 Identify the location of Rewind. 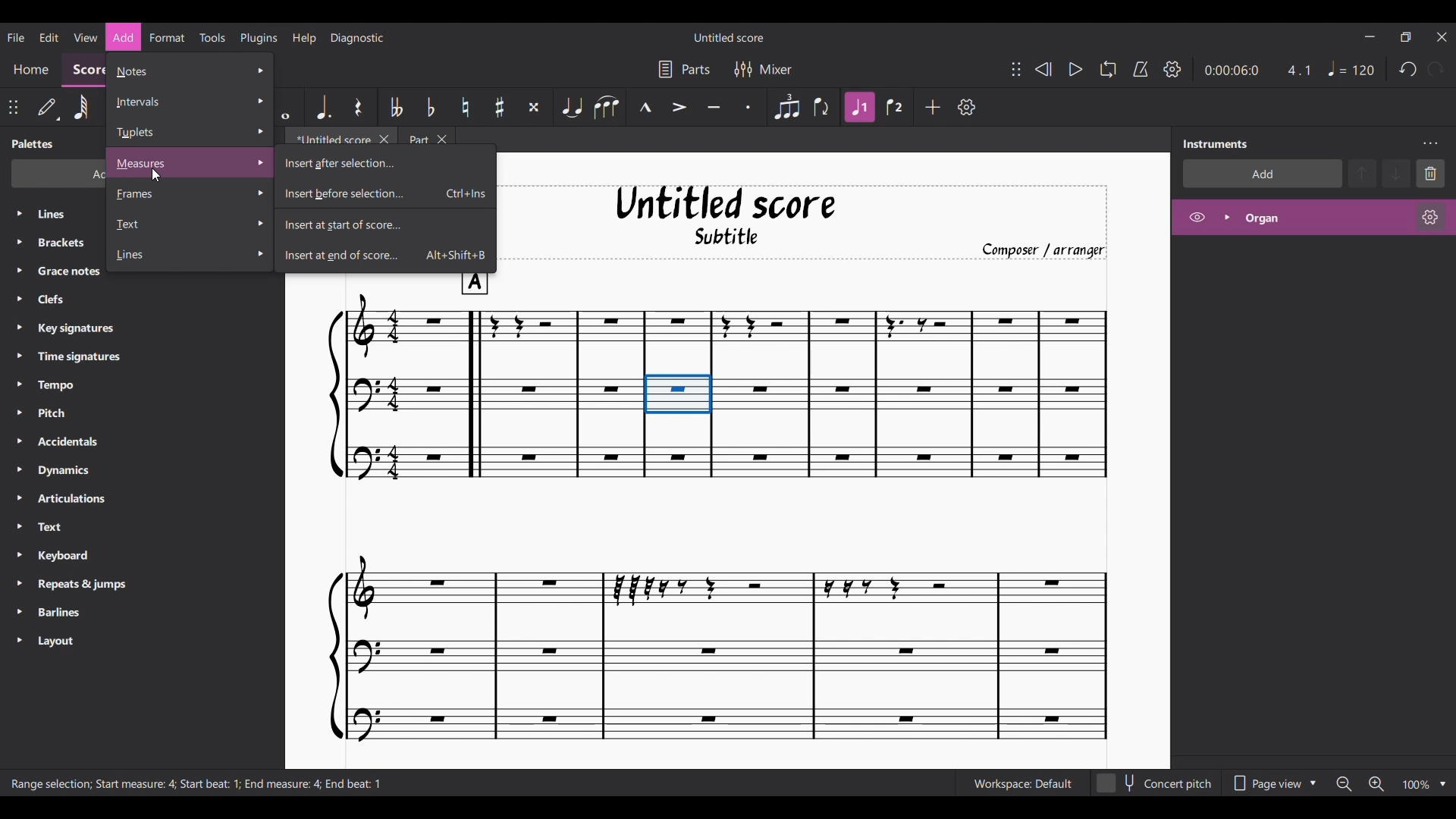
(1043, 69).